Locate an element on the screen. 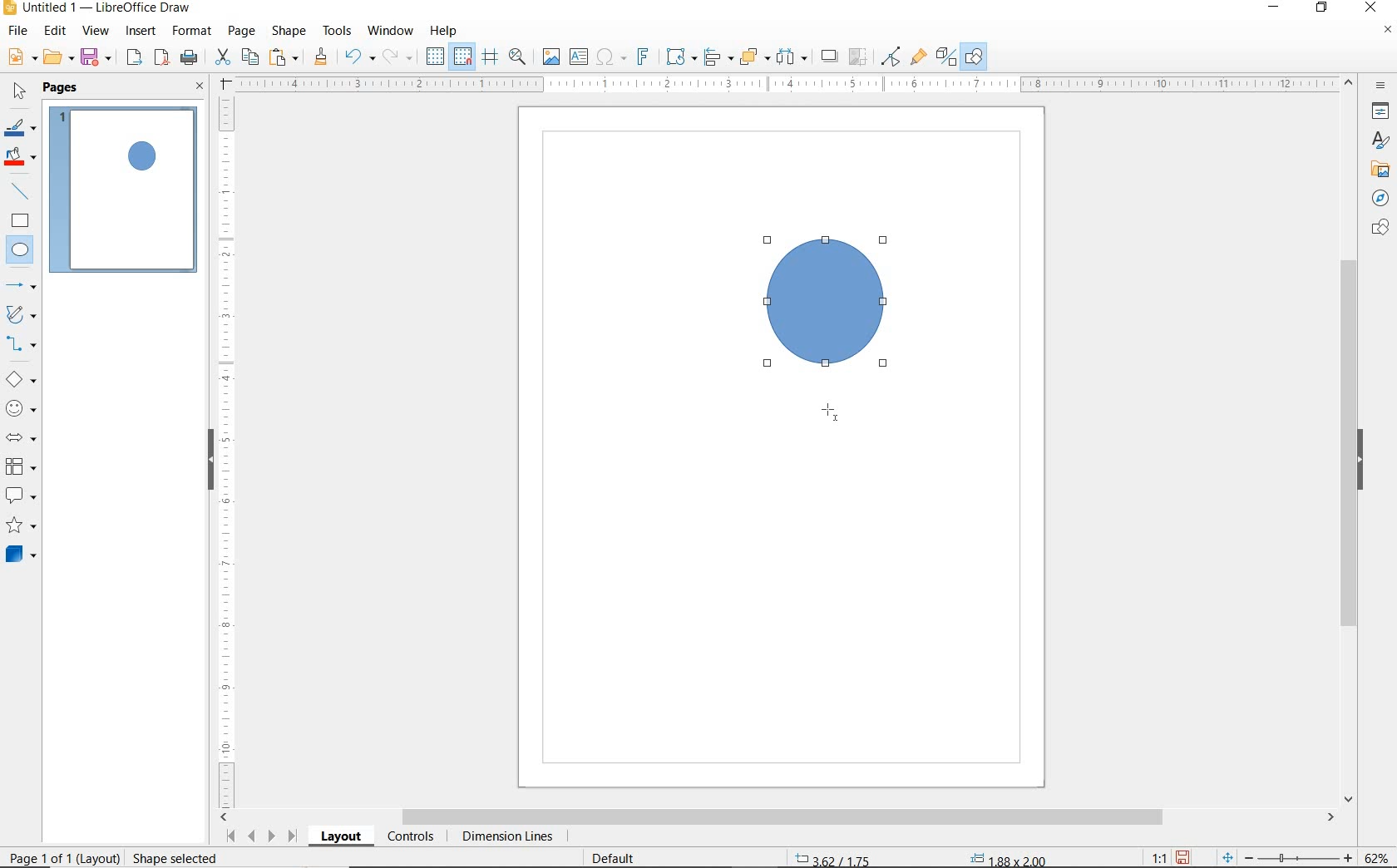 This screenshot has width=1397, height=868. SYMBOL SHAPES is located at coordinates (22, 408).